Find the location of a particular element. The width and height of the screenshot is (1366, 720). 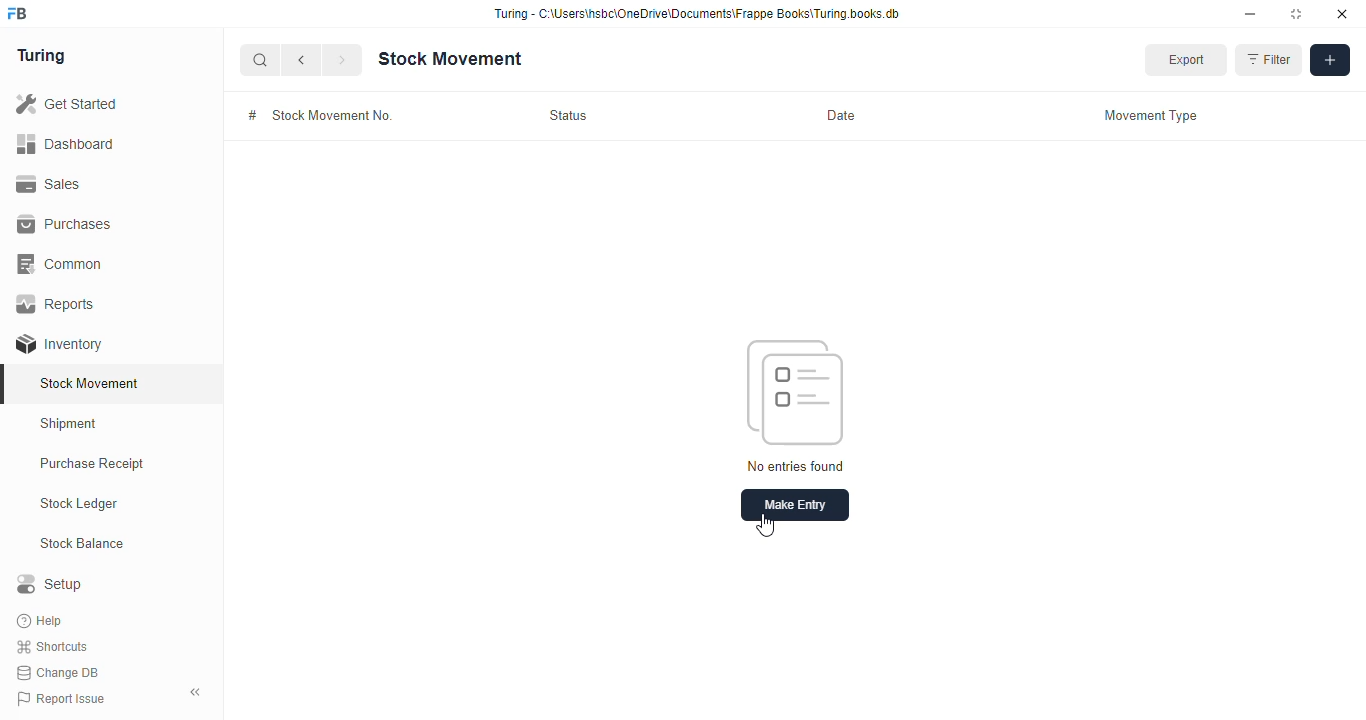

# is located at coordinates (252, 116).